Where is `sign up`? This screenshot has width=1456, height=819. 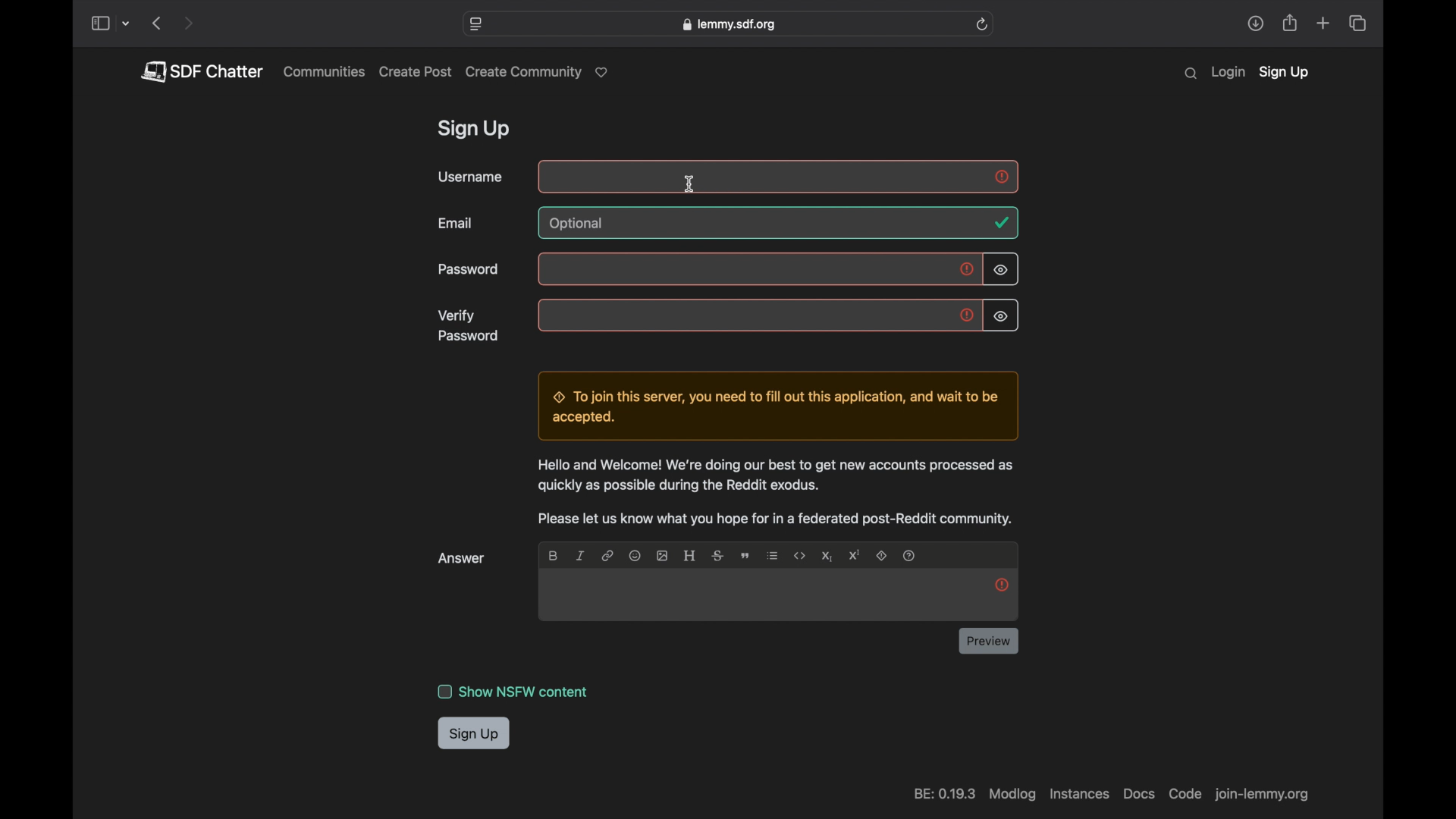 sign up is located at coordinates (476, 130).